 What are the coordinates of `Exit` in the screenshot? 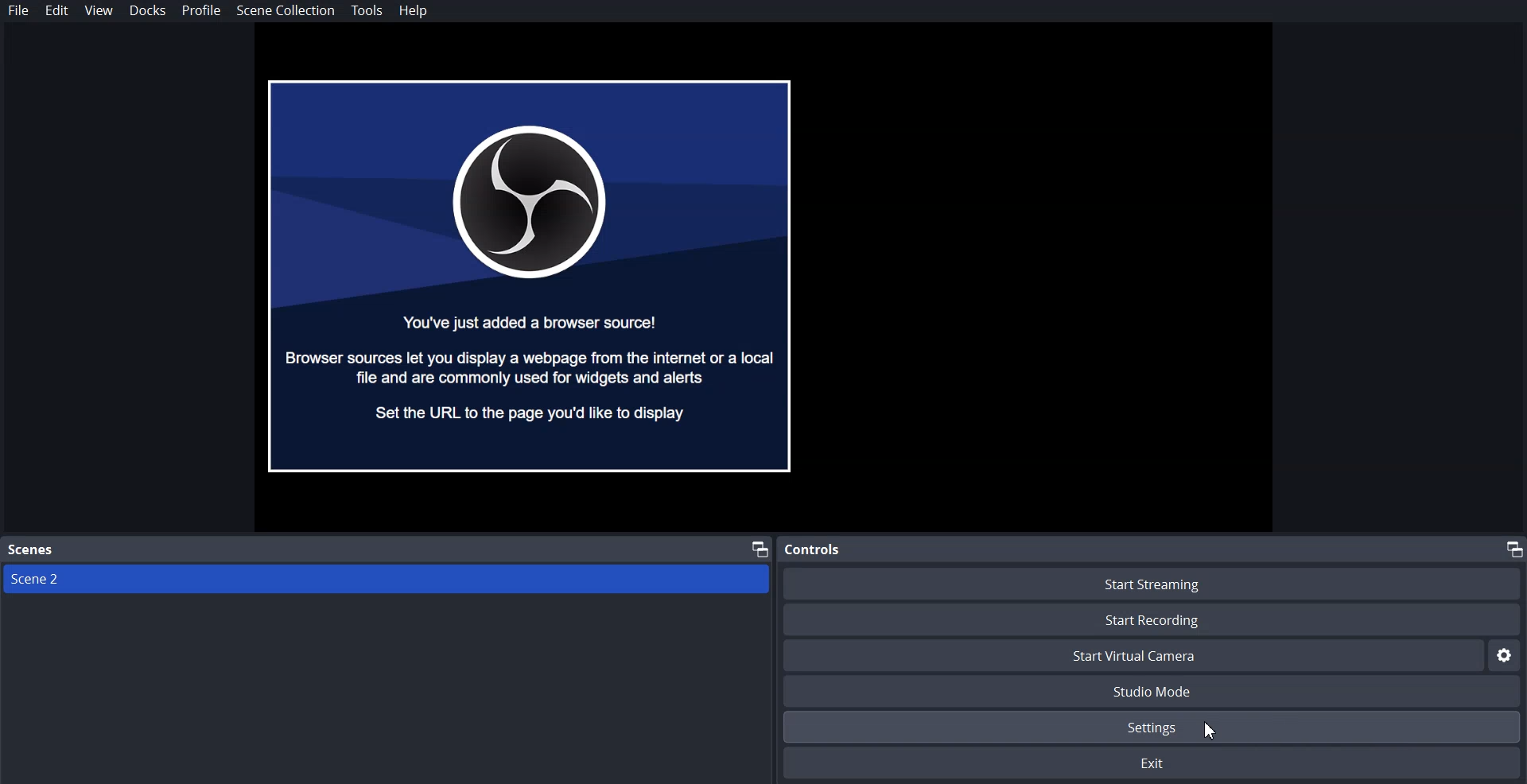 It's located at (1153, 764).